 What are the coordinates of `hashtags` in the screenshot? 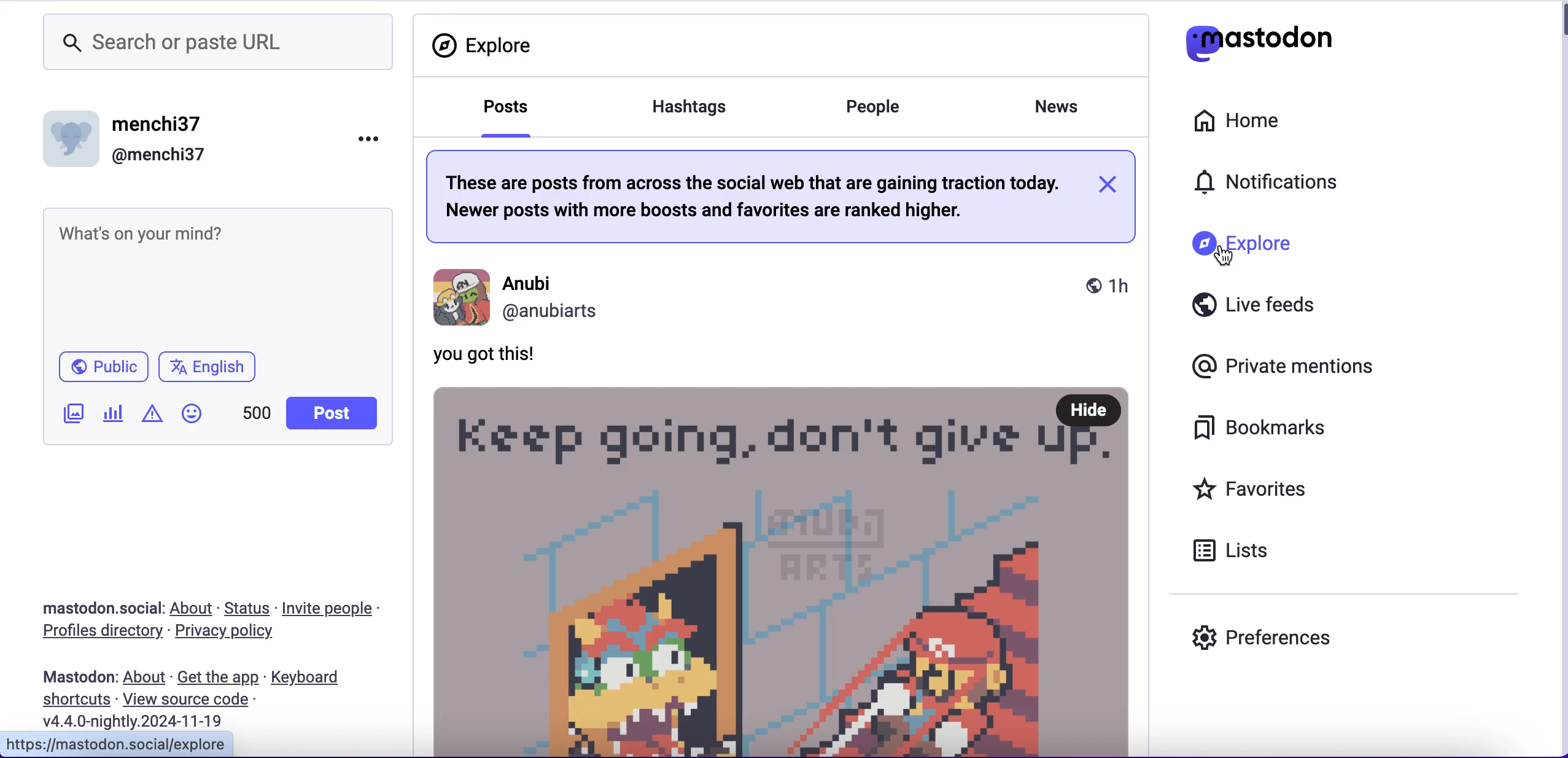 It's located at (712, 105).